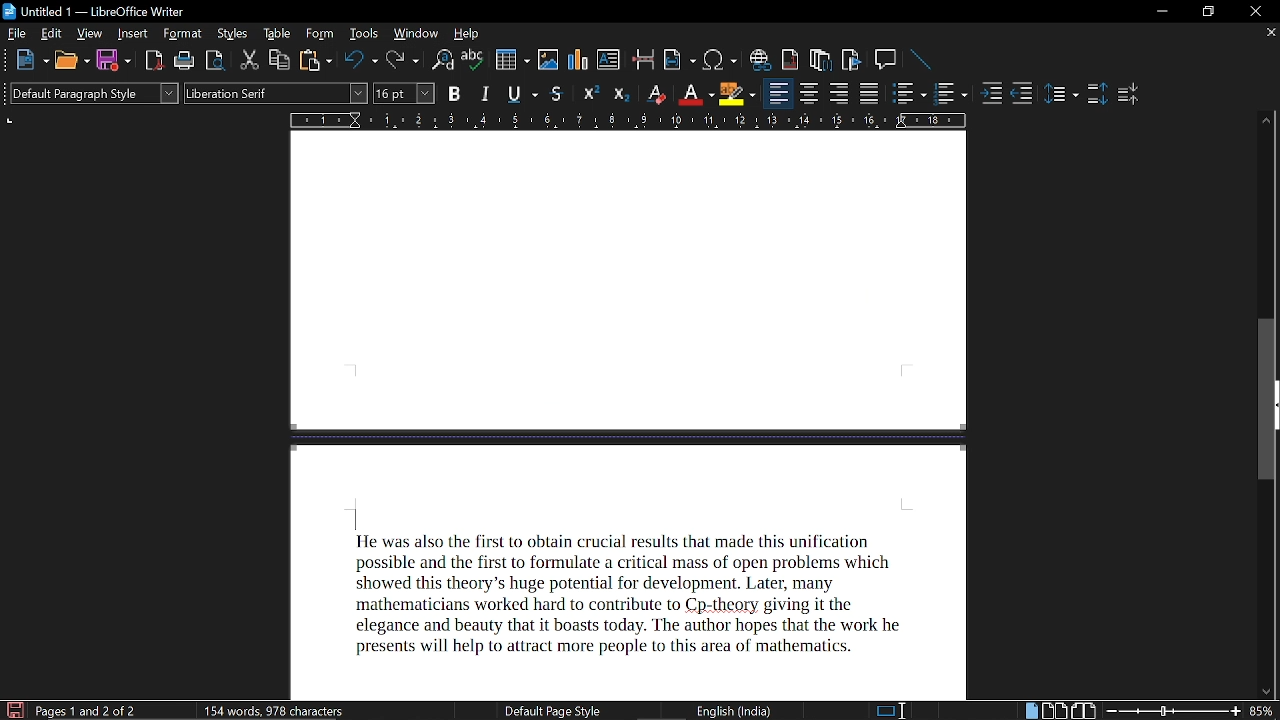 The image size is (1280, 720). What do you see at coordinates (1159, 13) in the screenshot?
I see `Minimize` at bounding box center [1159, 13].